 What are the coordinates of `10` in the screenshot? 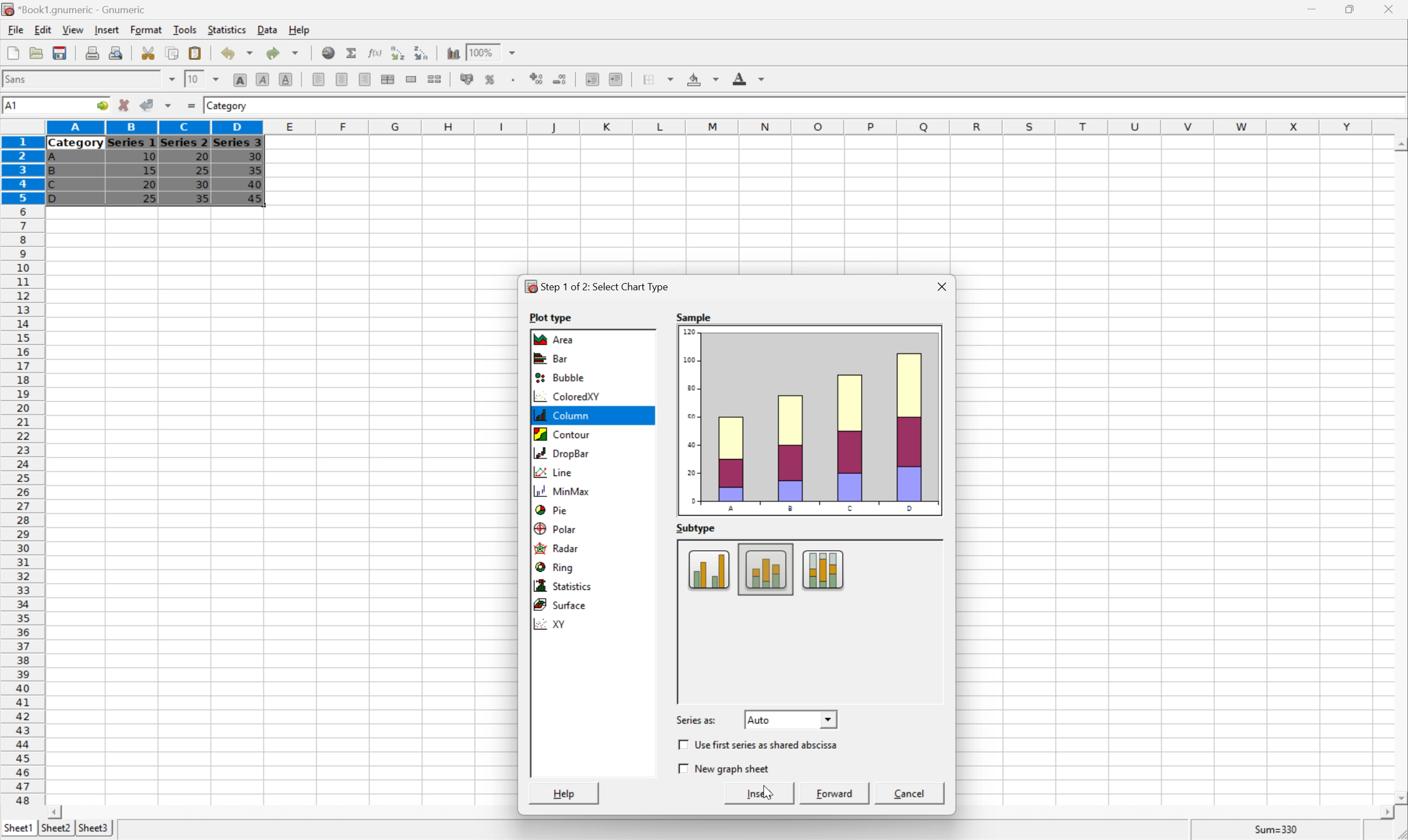 It's located at (194, 79).